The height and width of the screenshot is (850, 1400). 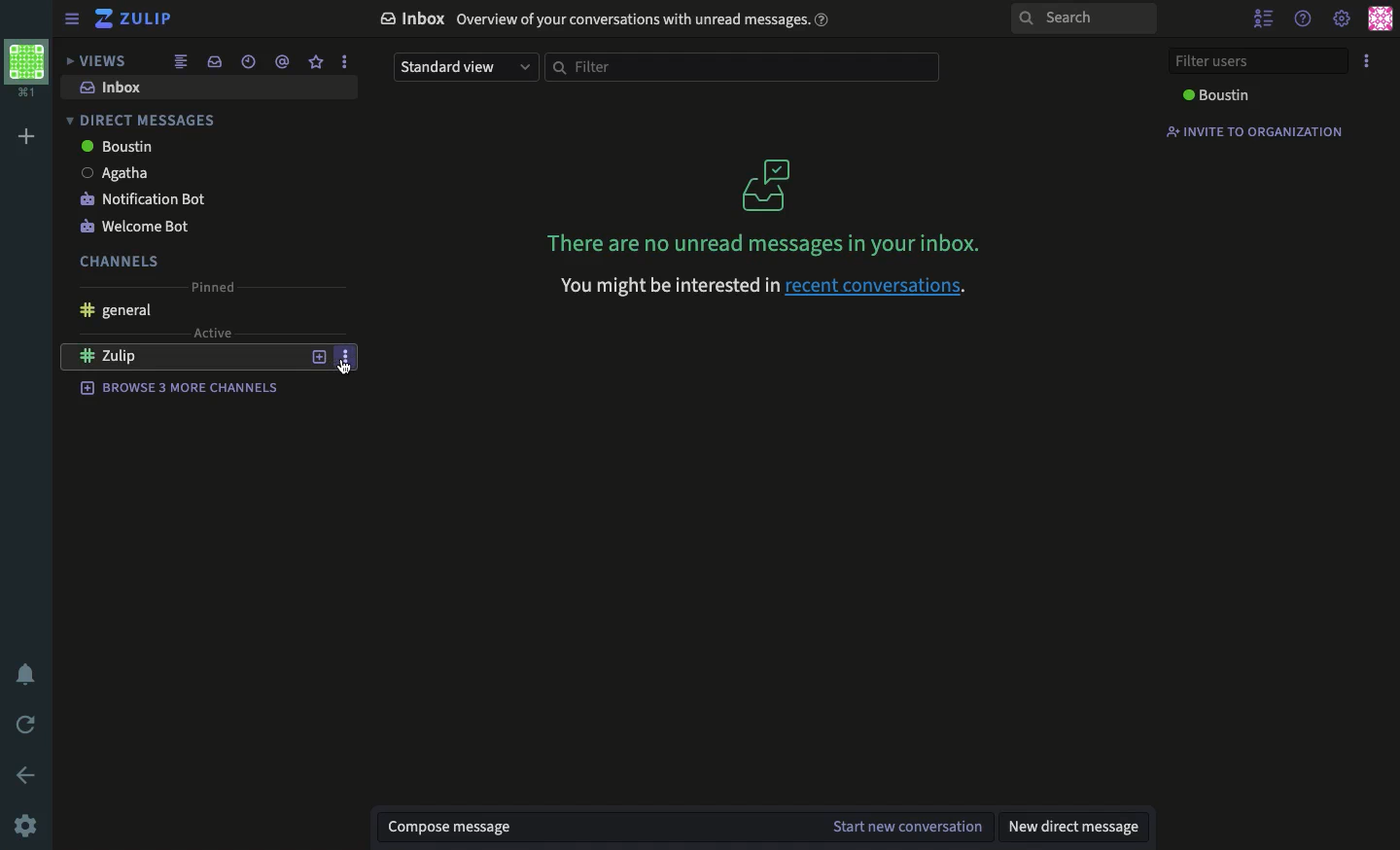 I want to click on filter, so click(x=746, y=67).